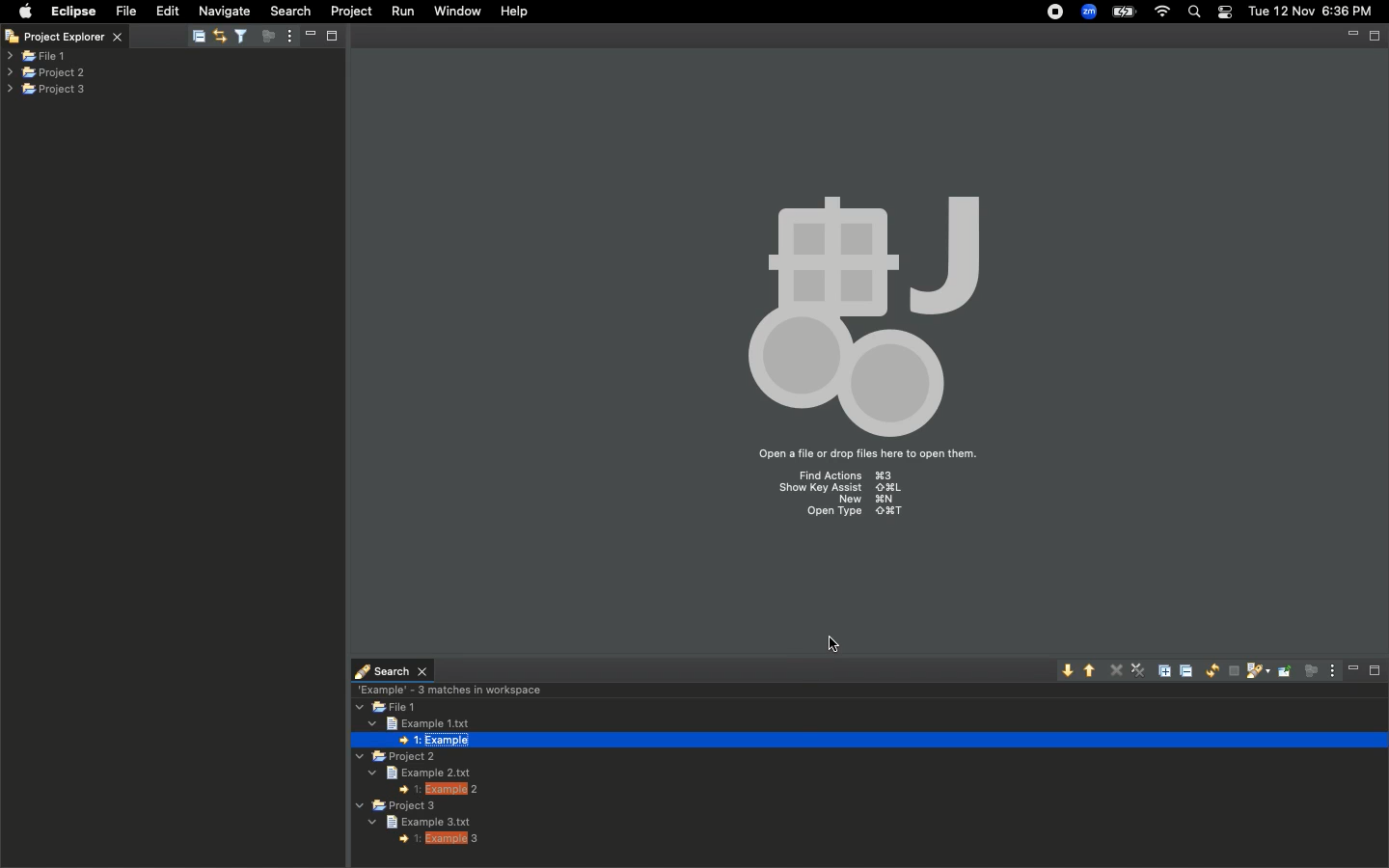 Image resolution: width=1389 pixels, height=868 pixels. Describe the element at coordinates (865, 454) in the screenshot. I see `Drag files here to open them` at that location.